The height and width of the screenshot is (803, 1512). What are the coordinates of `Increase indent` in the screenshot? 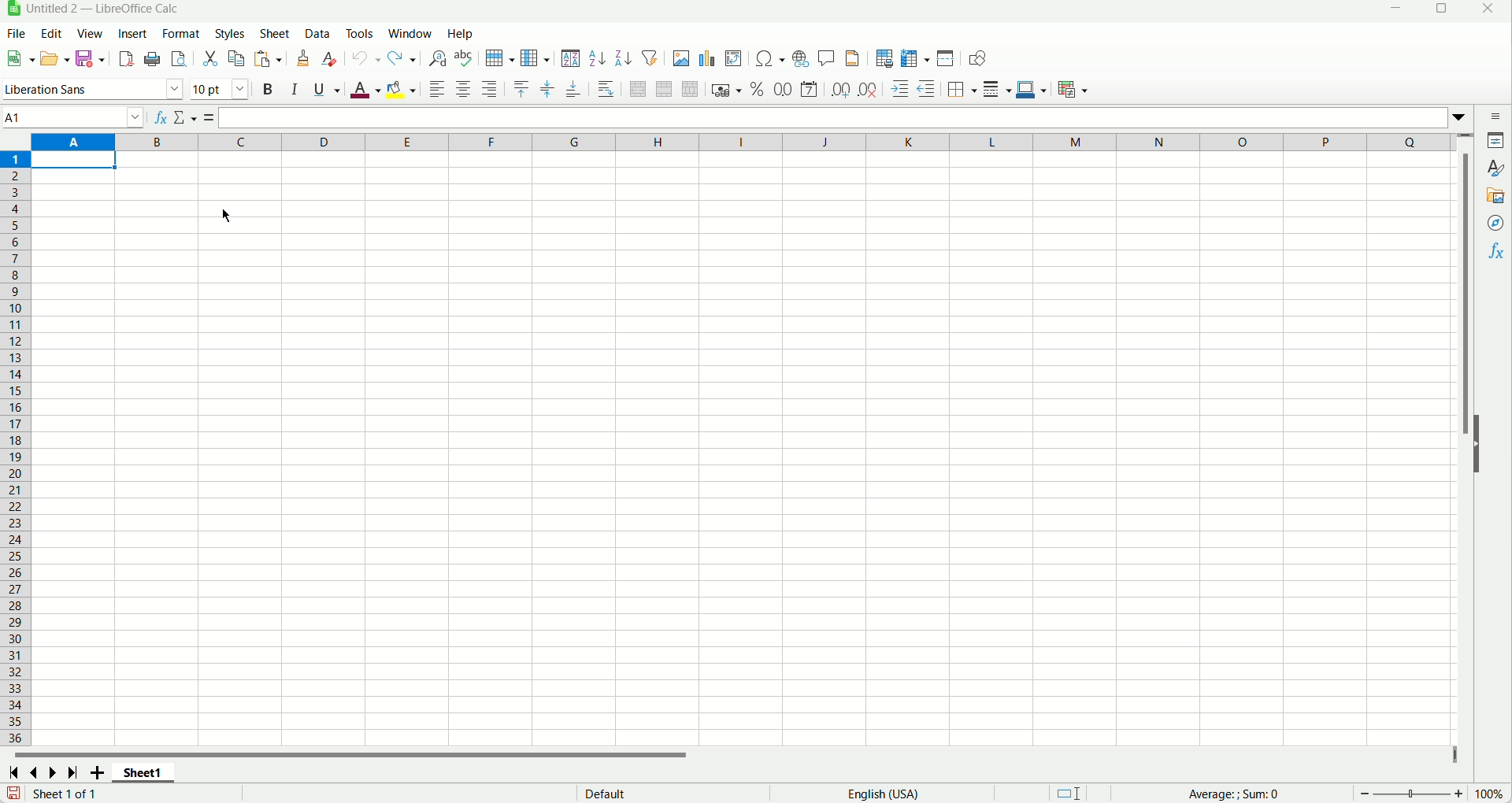 It's located at (899, 90).